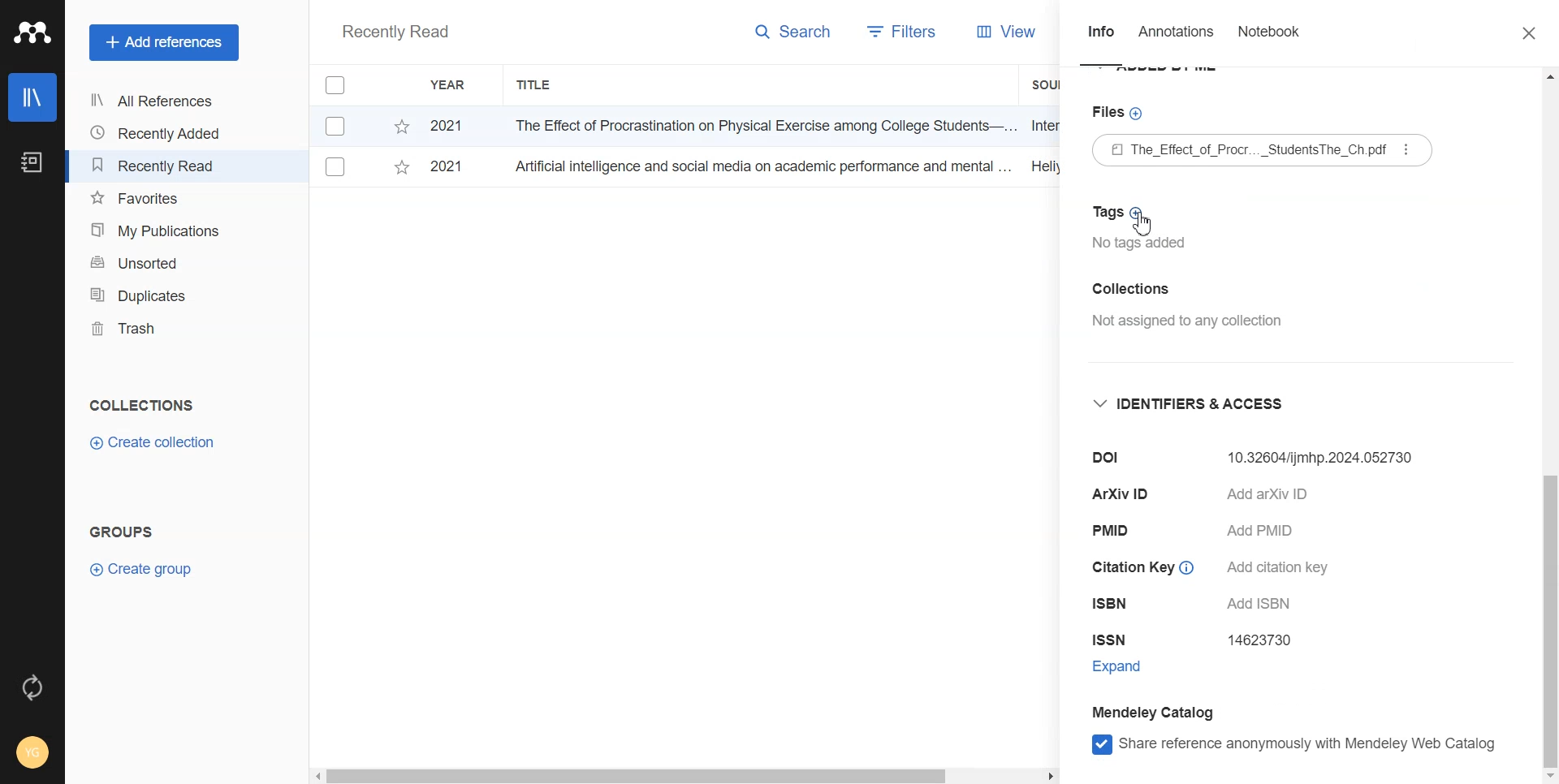 This screenshot has height=784, width=1559. I want to click on Mendeley Catalog, so click(1152, 711).